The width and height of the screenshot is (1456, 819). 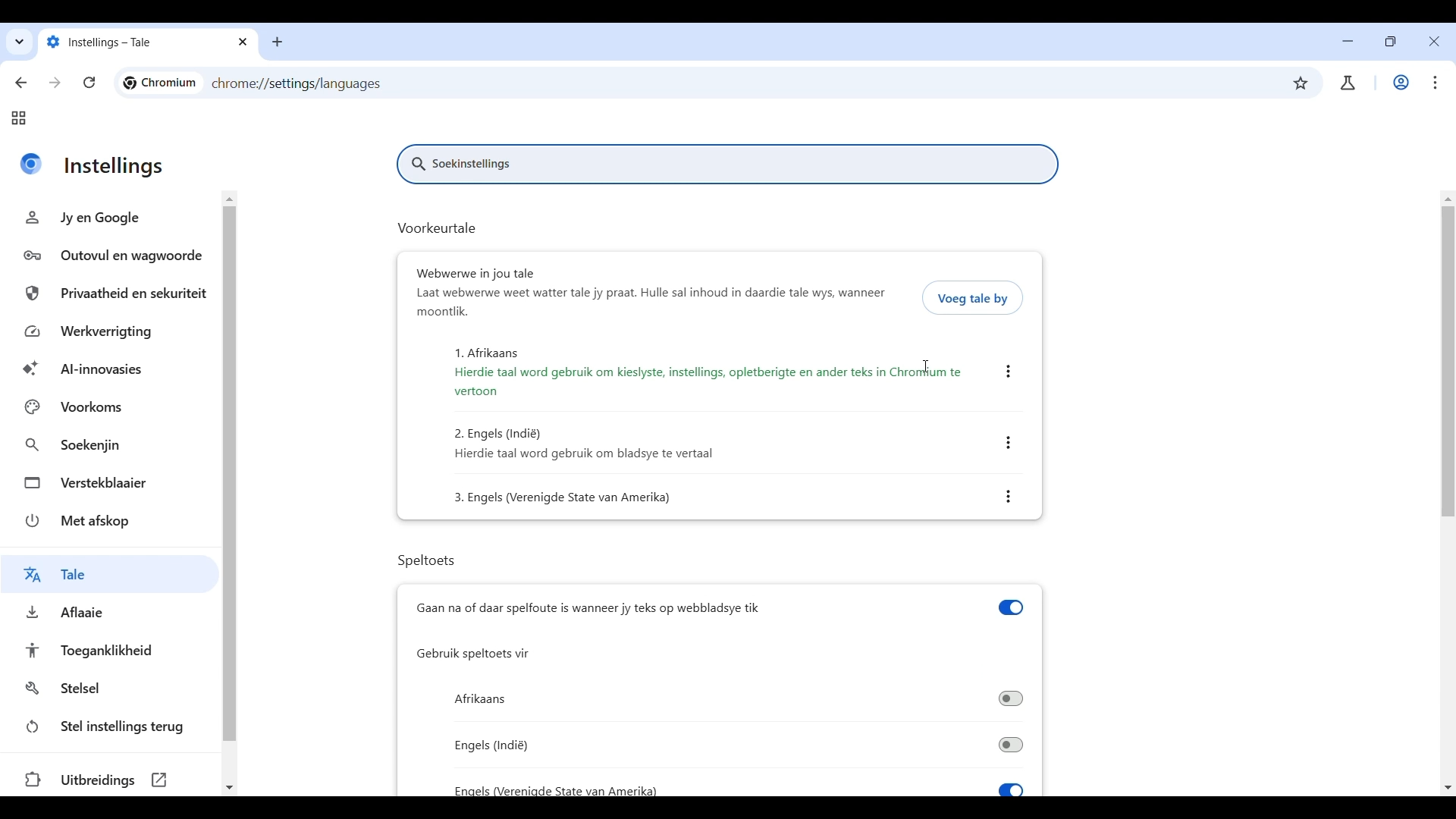 What do you see at coordinates (230, 788) in the screenshot?
I see `quick slide to bottom` at bounding box center [230, 788].